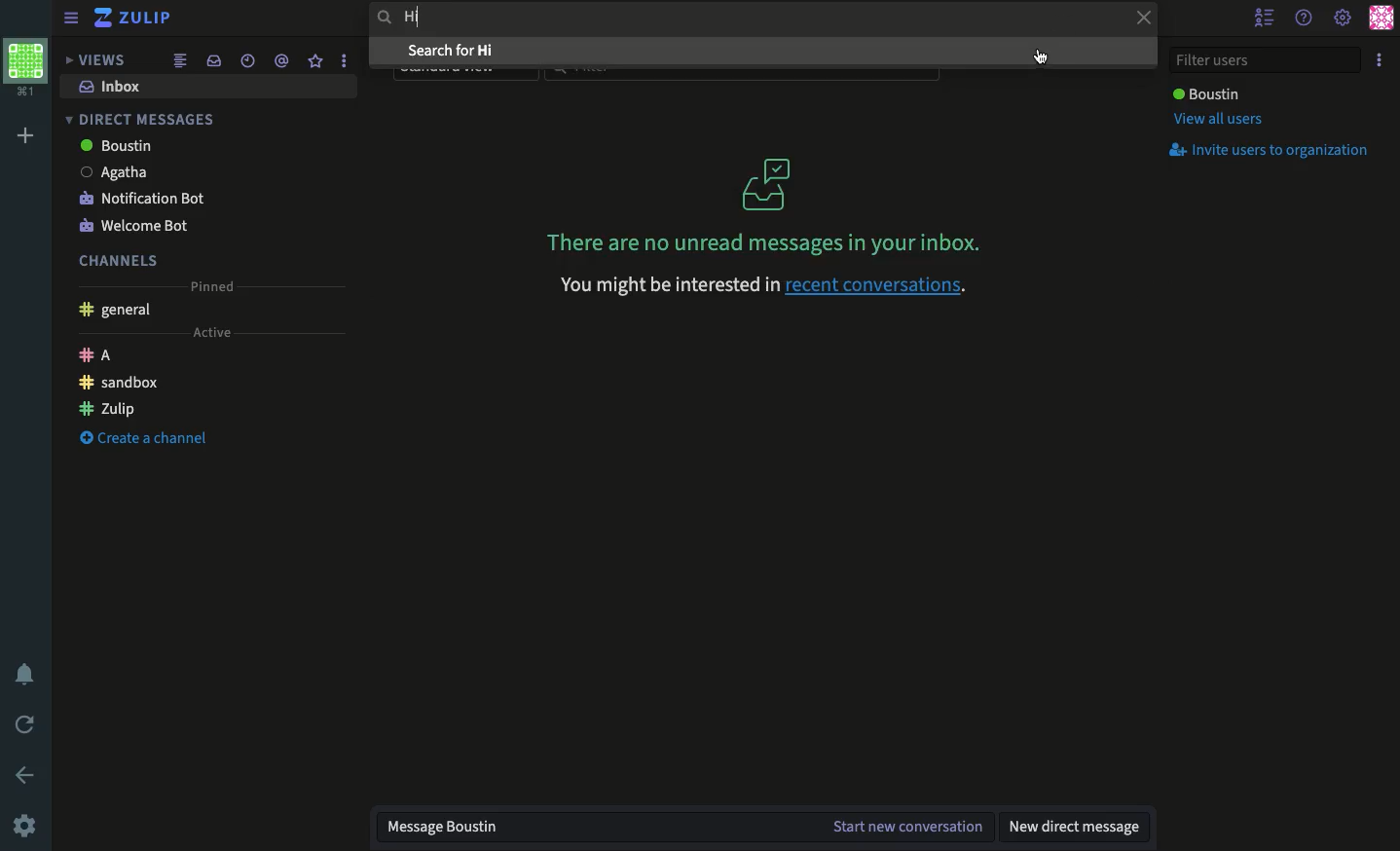 This screenshot has width=1400, height=851. What do you see at coordinates (1274, 151) in the screenshot?
I see `Invite users to organization` at bounding box center [1274, 151].